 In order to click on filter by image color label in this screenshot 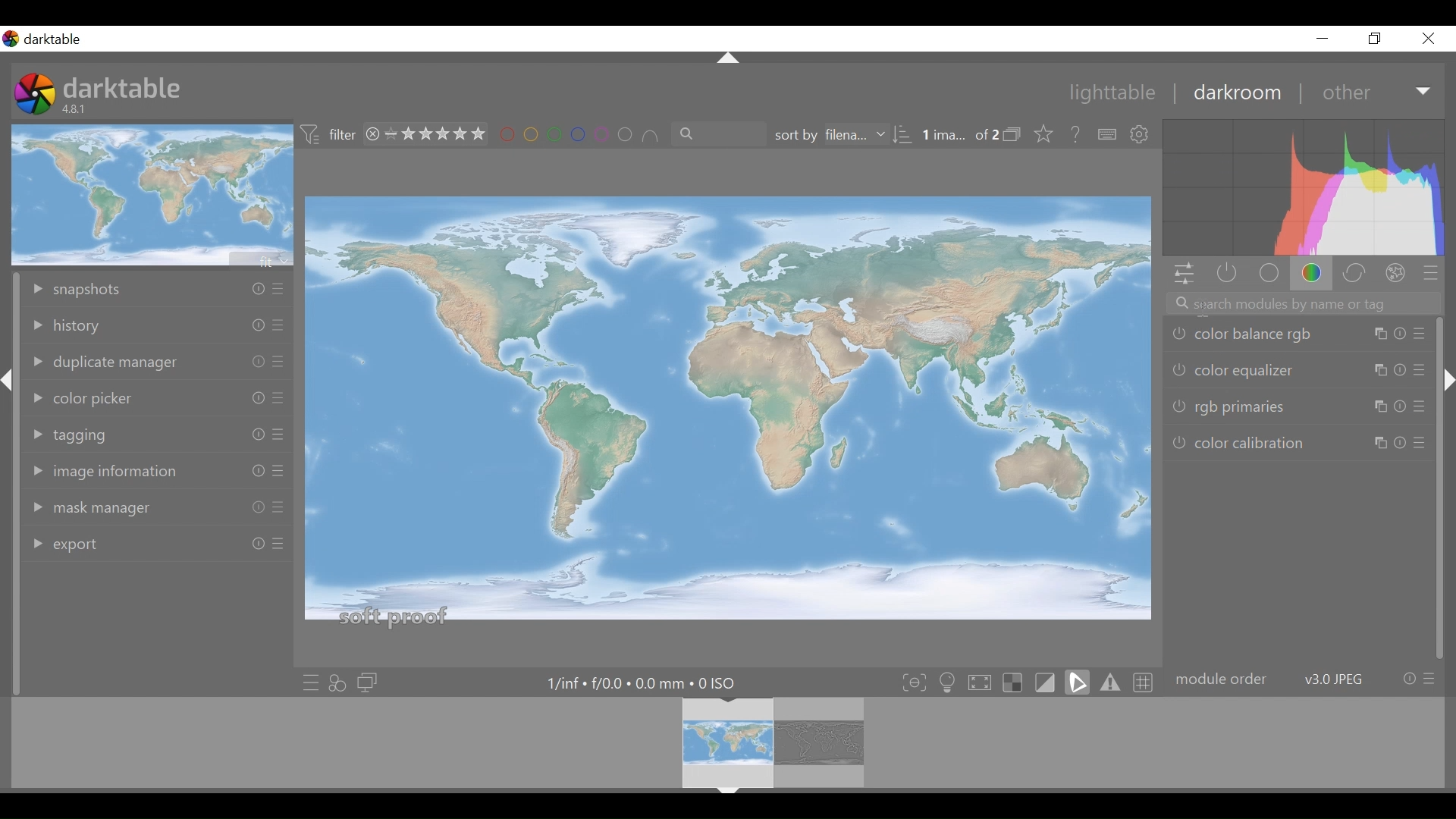, I will do `click(579, 132)`.